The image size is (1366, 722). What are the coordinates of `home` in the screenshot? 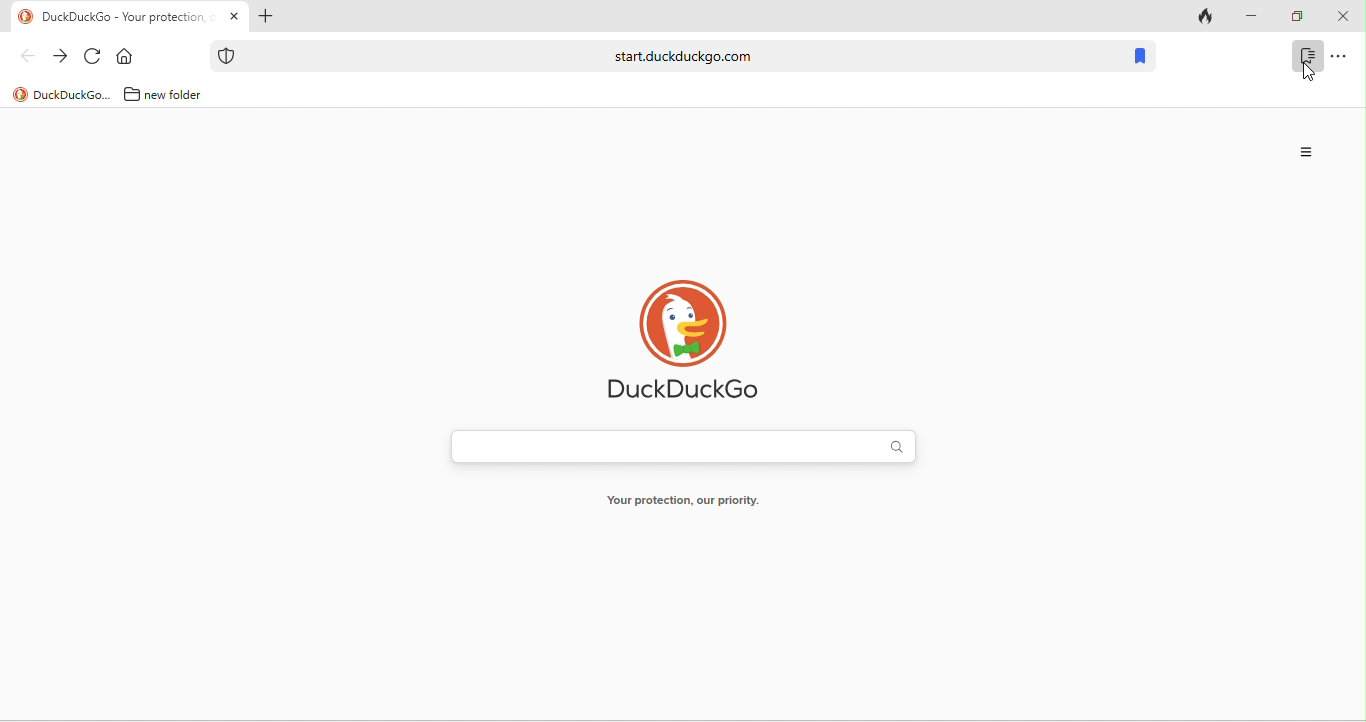 It's located at (124, 56).